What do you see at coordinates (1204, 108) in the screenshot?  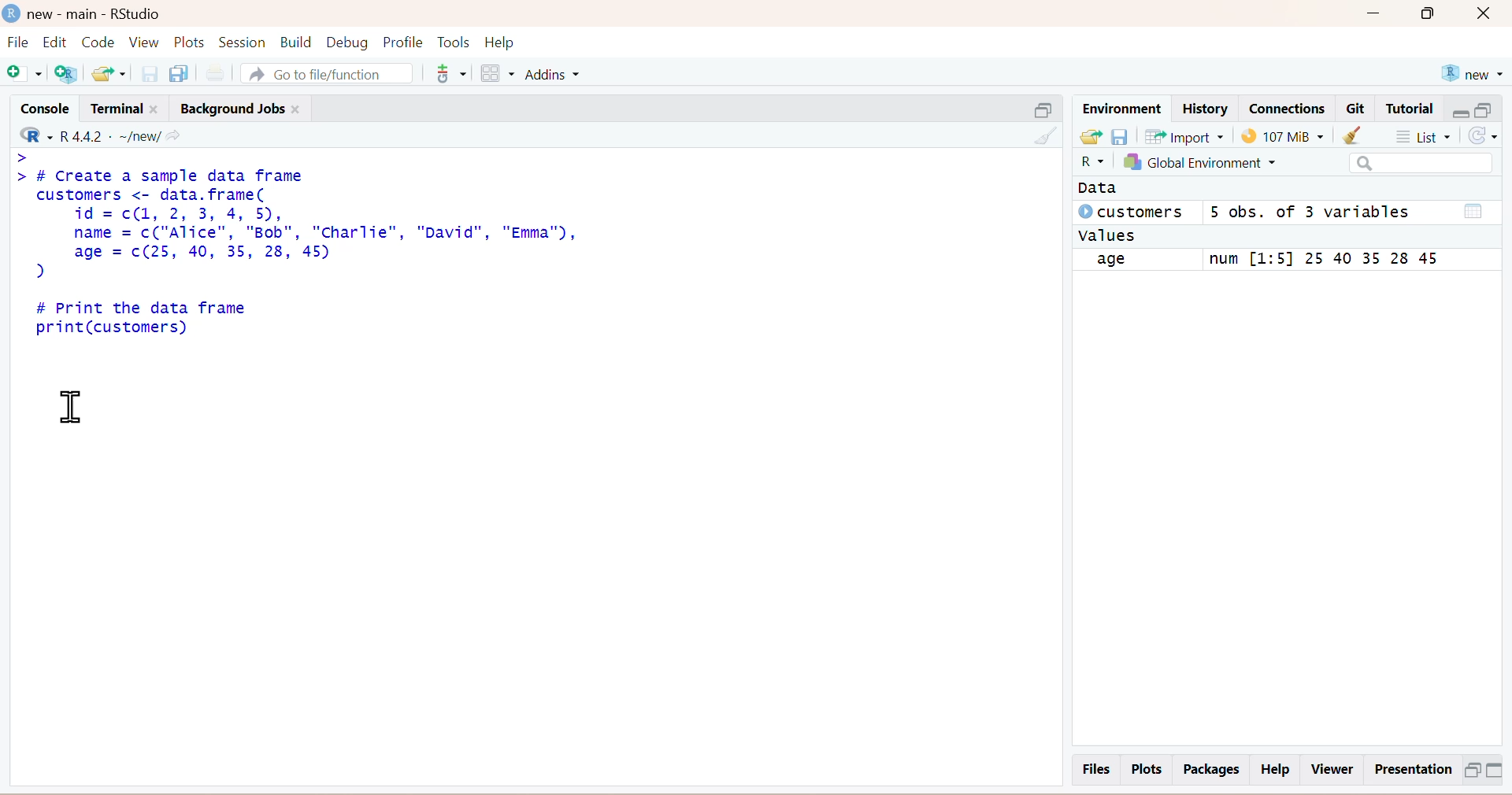 I see `History` at bounding box center [1204, 108].